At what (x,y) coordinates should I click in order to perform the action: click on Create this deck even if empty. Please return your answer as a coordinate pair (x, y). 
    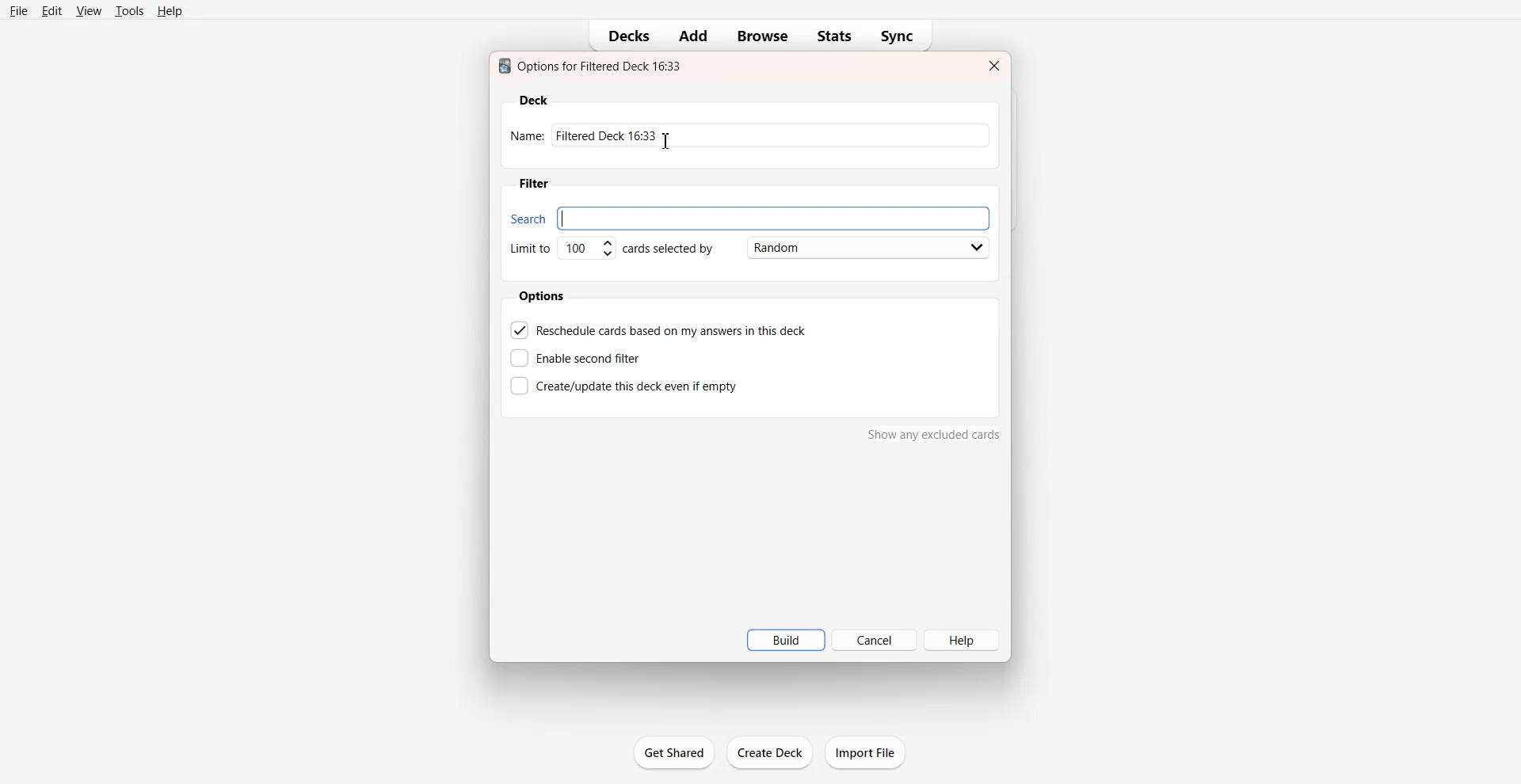
    Looking at the image, I should click on (623, 384).